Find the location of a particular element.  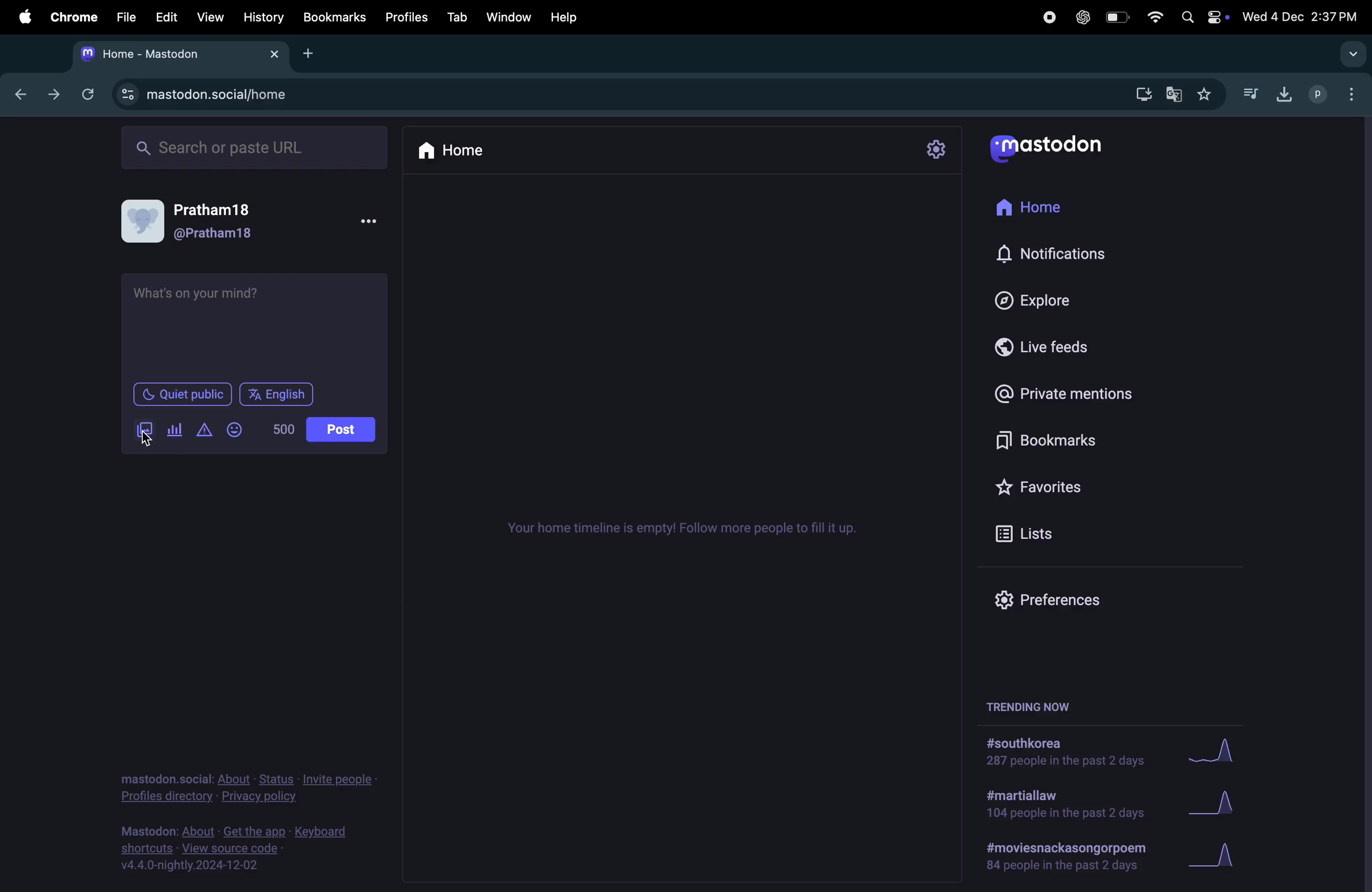

options is located at coordinates (367, 222).